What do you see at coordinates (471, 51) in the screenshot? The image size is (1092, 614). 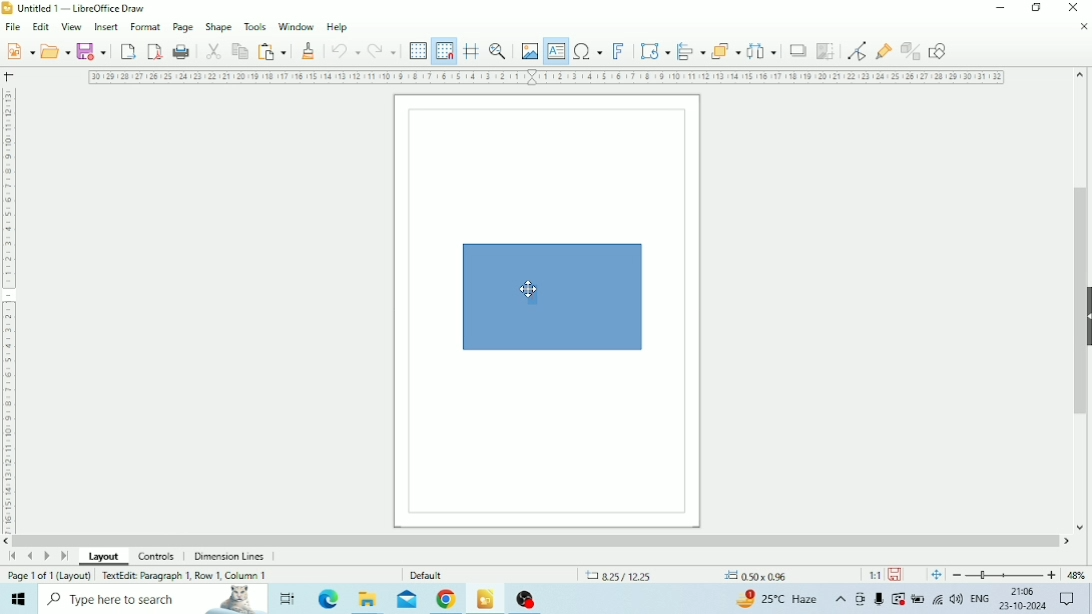 I see `Helplines while moving` at bounding box center [471, 51].